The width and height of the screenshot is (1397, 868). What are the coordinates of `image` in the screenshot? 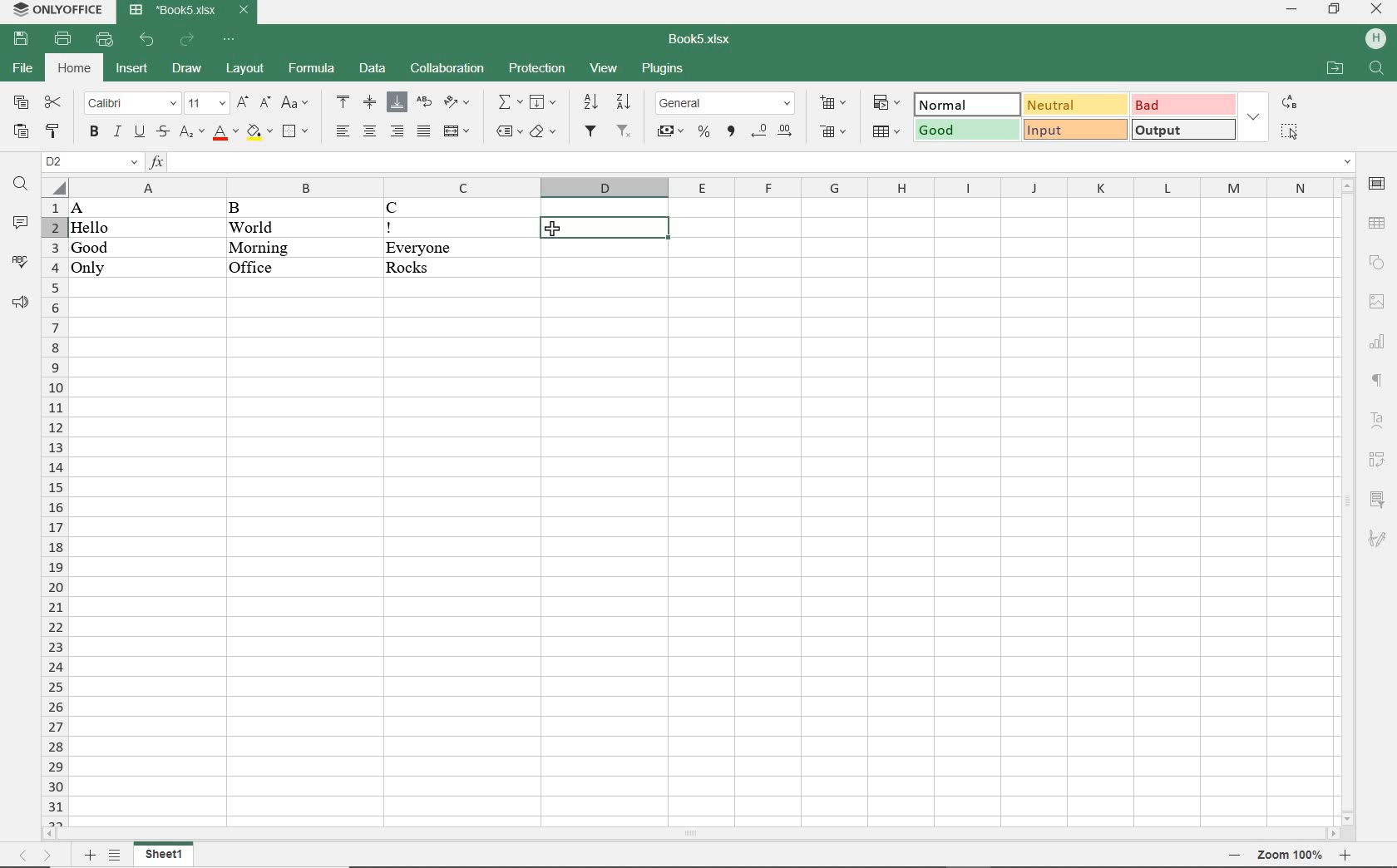 It's located at (1376, 301).